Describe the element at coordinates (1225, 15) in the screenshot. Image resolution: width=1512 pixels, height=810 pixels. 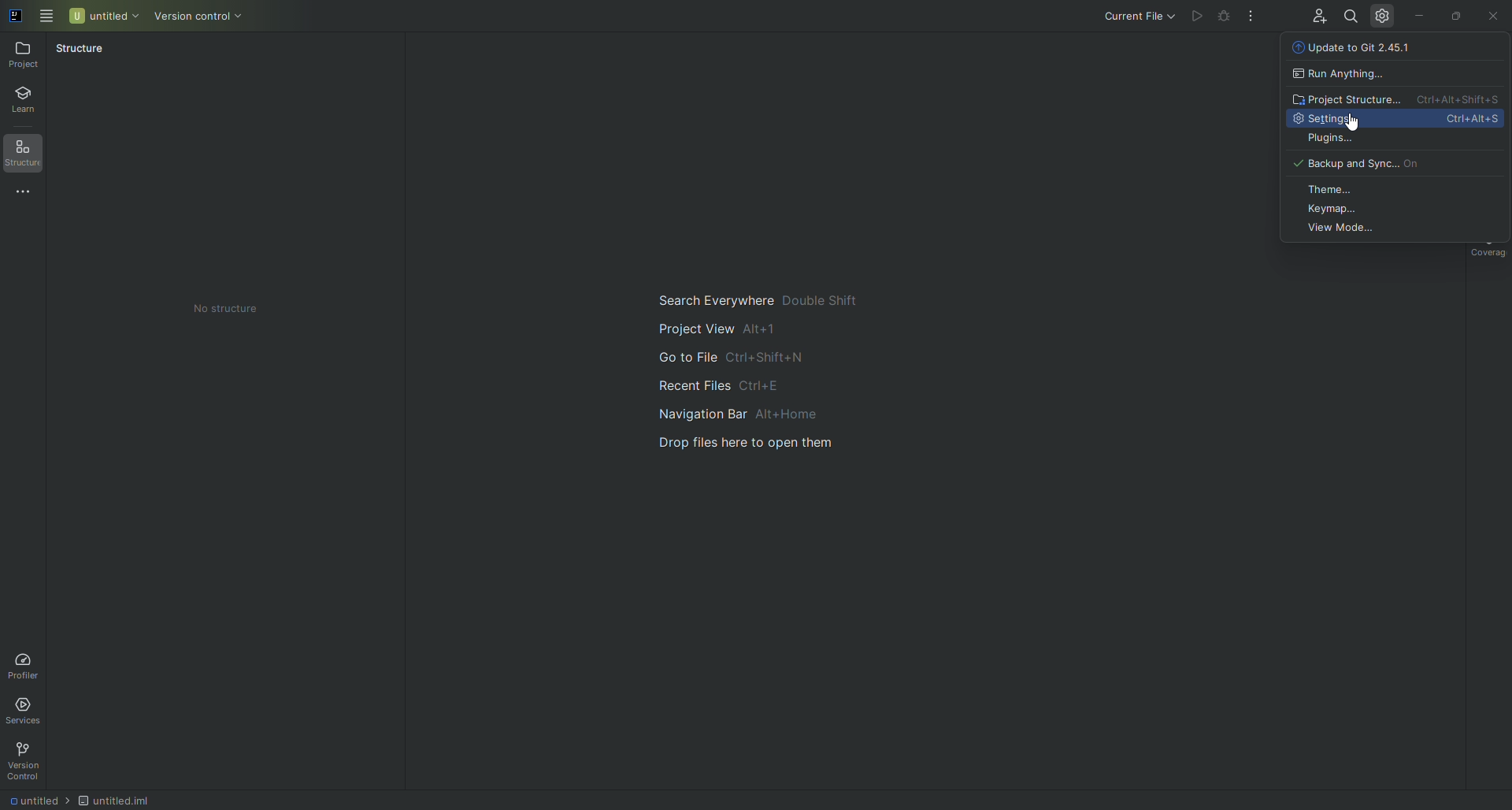
I see `Cannot run file` at that location.